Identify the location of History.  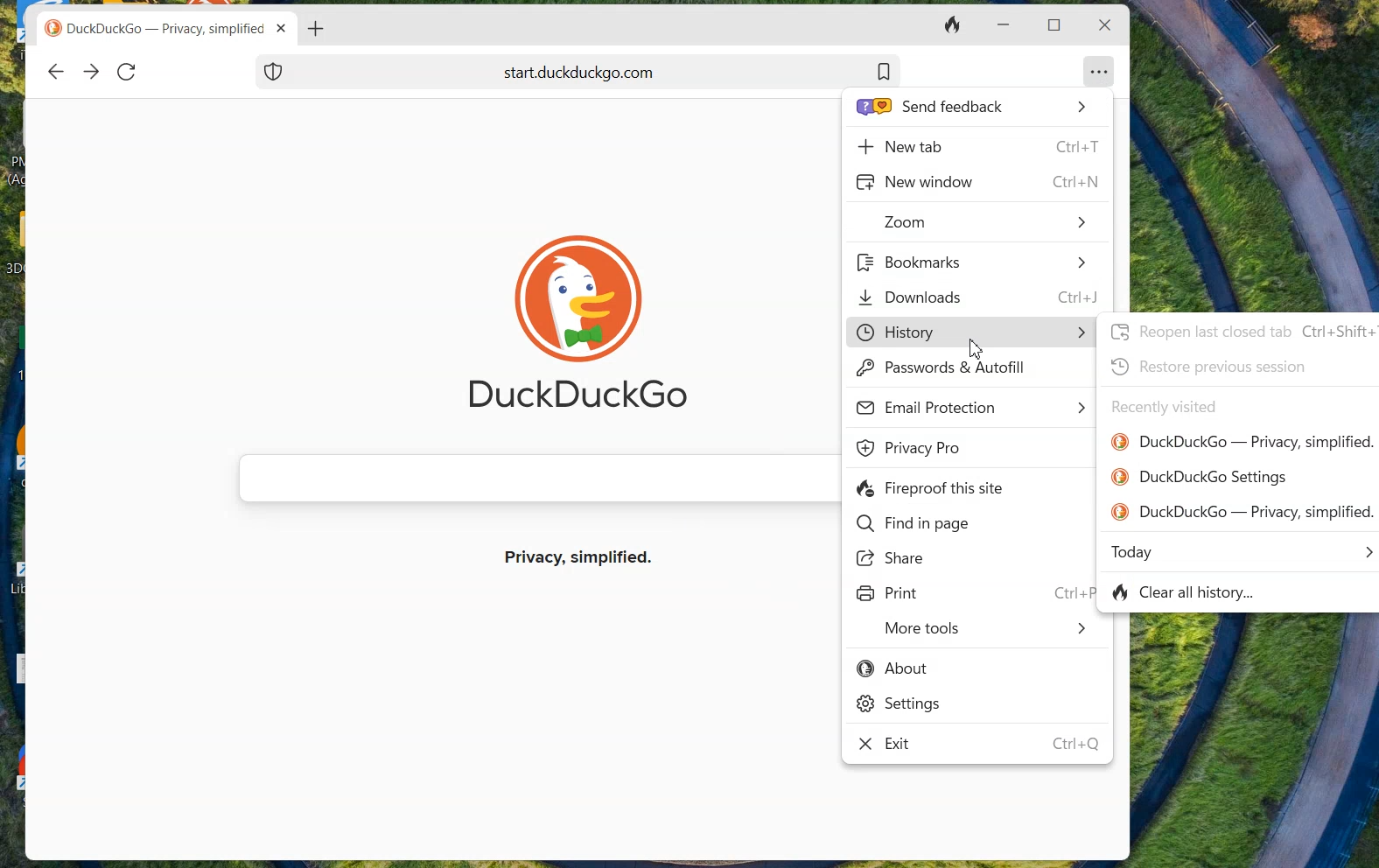
(969, 331).